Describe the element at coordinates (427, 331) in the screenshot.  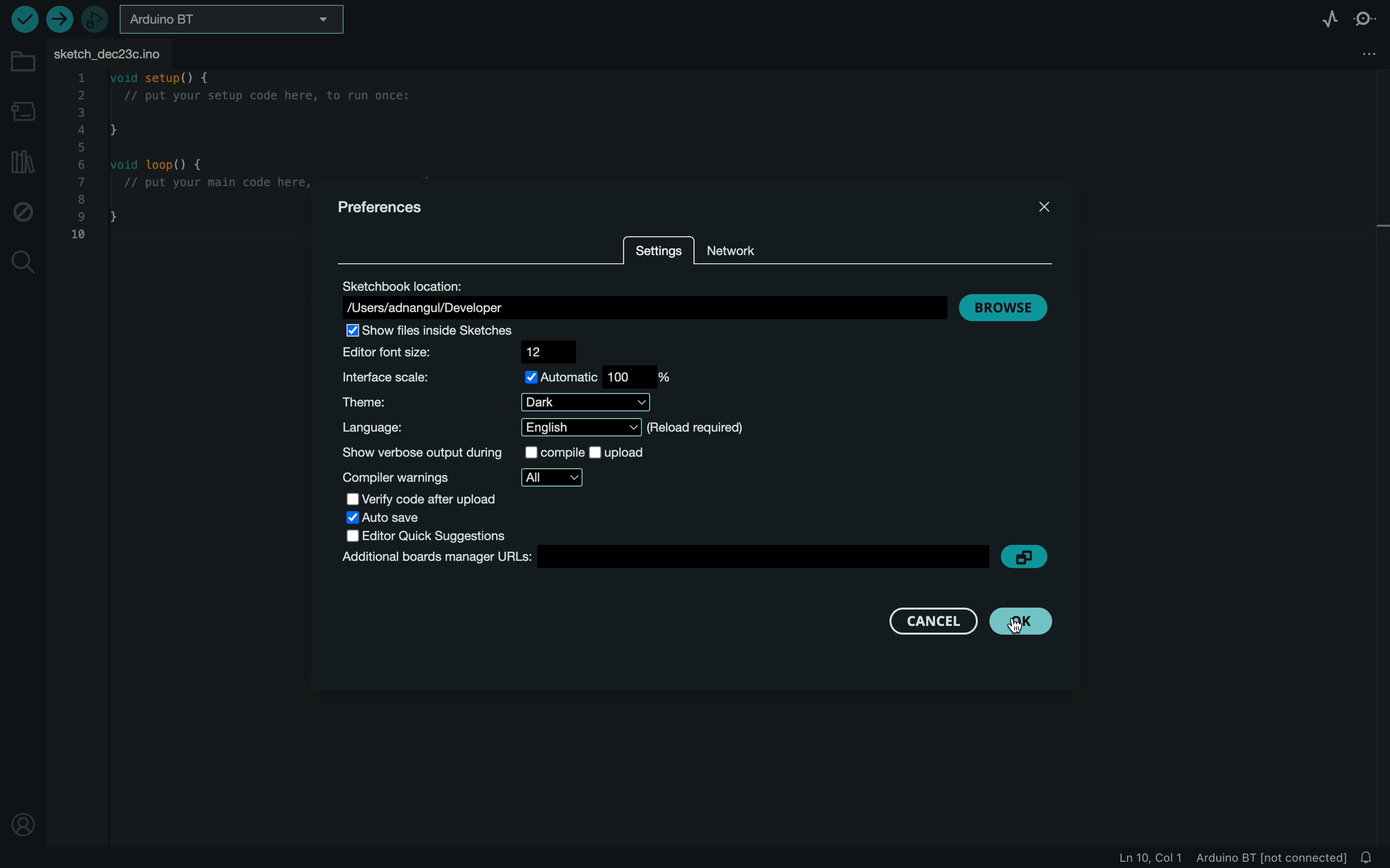
I see `selected` at that location.